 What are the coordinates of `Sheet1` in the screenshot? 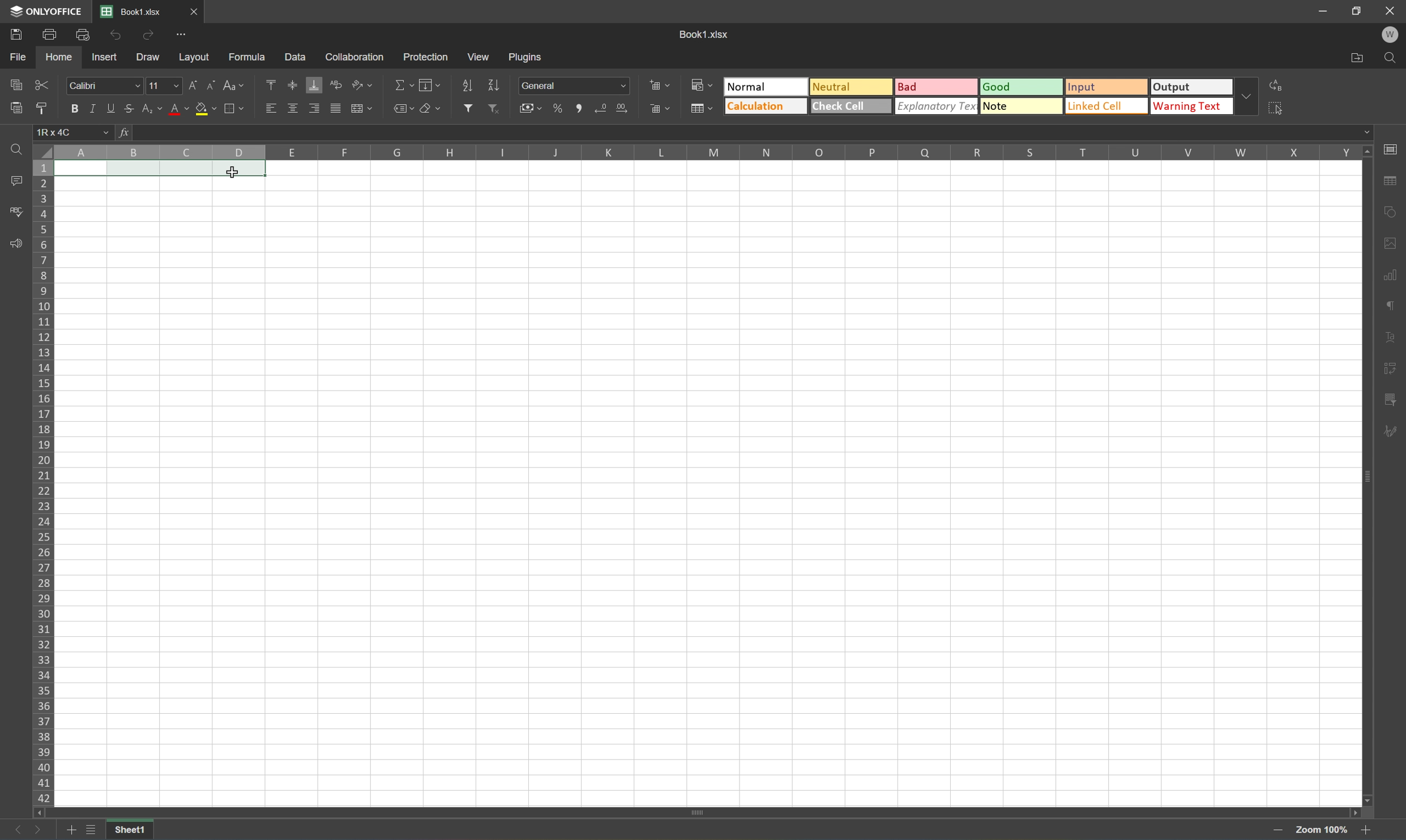 It's located at (131, 831).